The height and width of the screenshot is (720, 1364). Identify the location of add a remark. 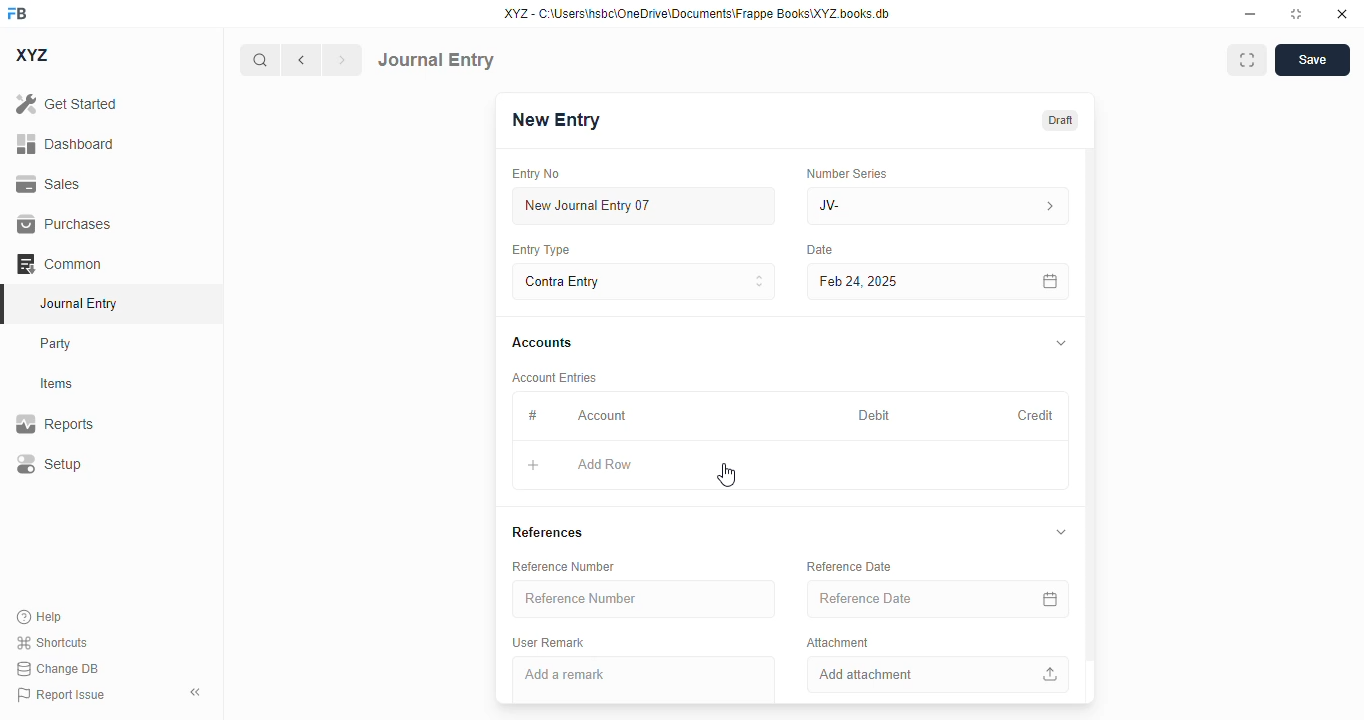
(643, 679).